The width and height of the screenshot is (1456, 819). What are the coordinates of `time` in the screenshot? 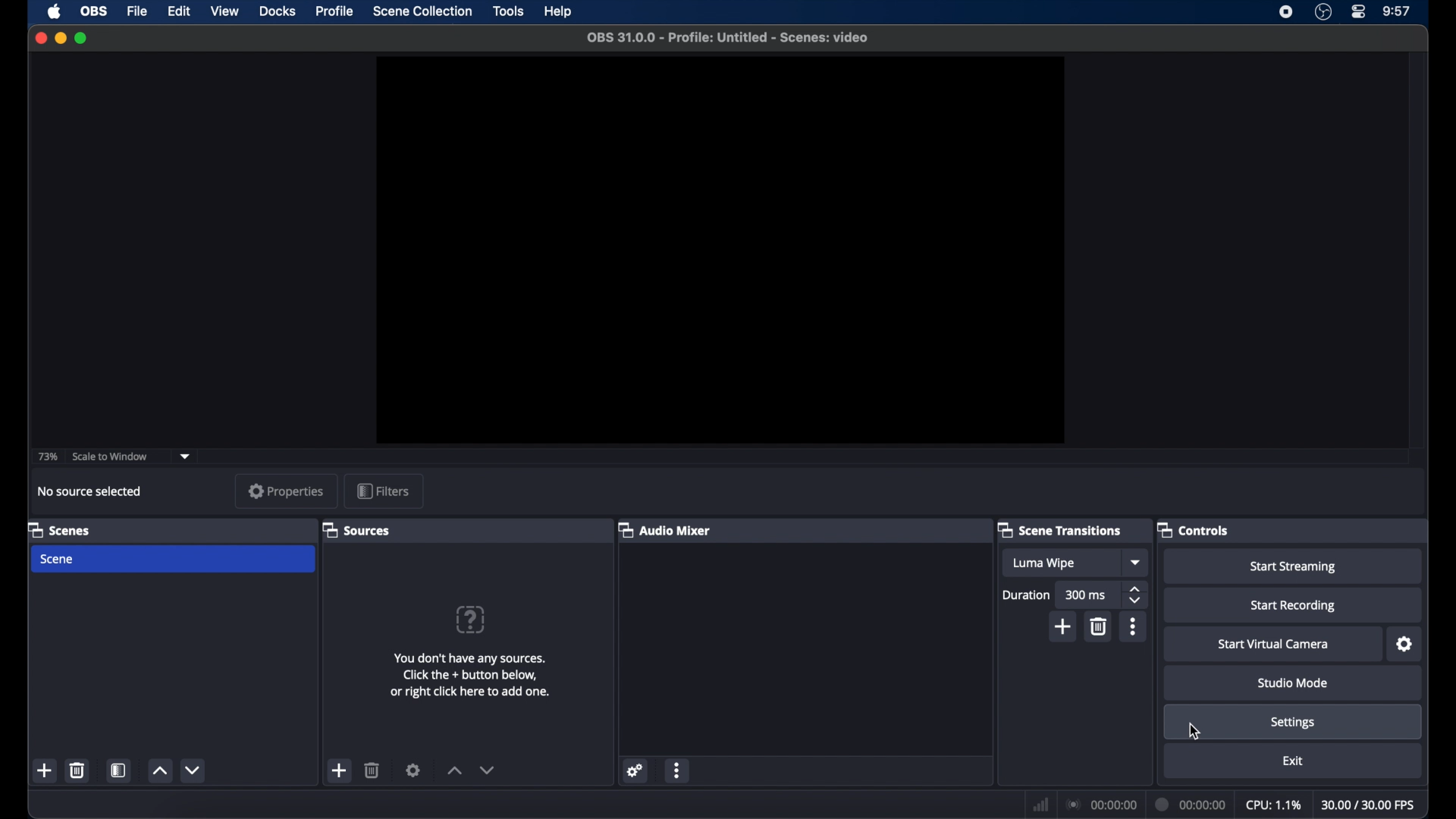 It's located at (1398, 11).